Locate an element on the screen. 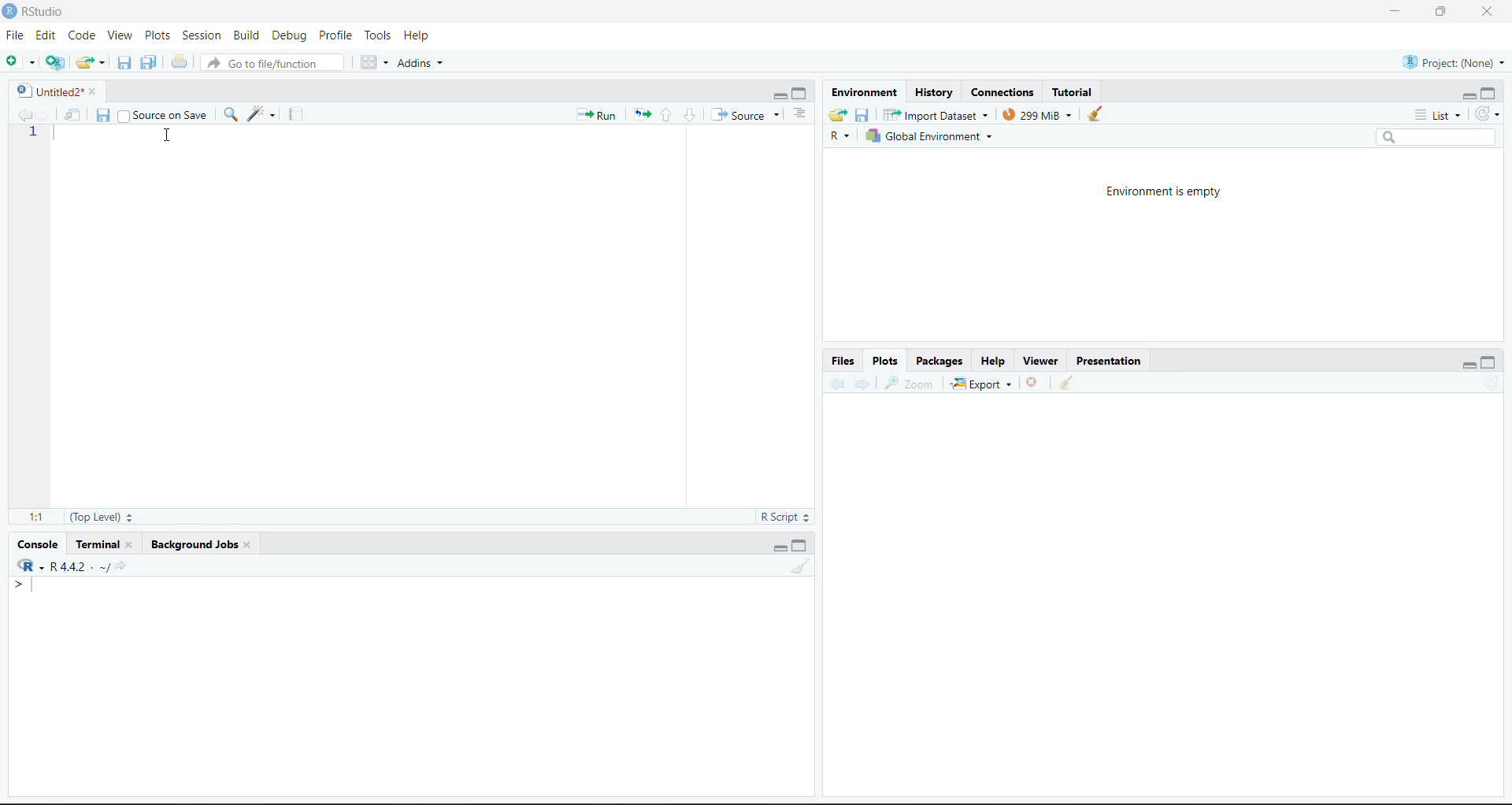  list is located at coordinates (1441, 116).